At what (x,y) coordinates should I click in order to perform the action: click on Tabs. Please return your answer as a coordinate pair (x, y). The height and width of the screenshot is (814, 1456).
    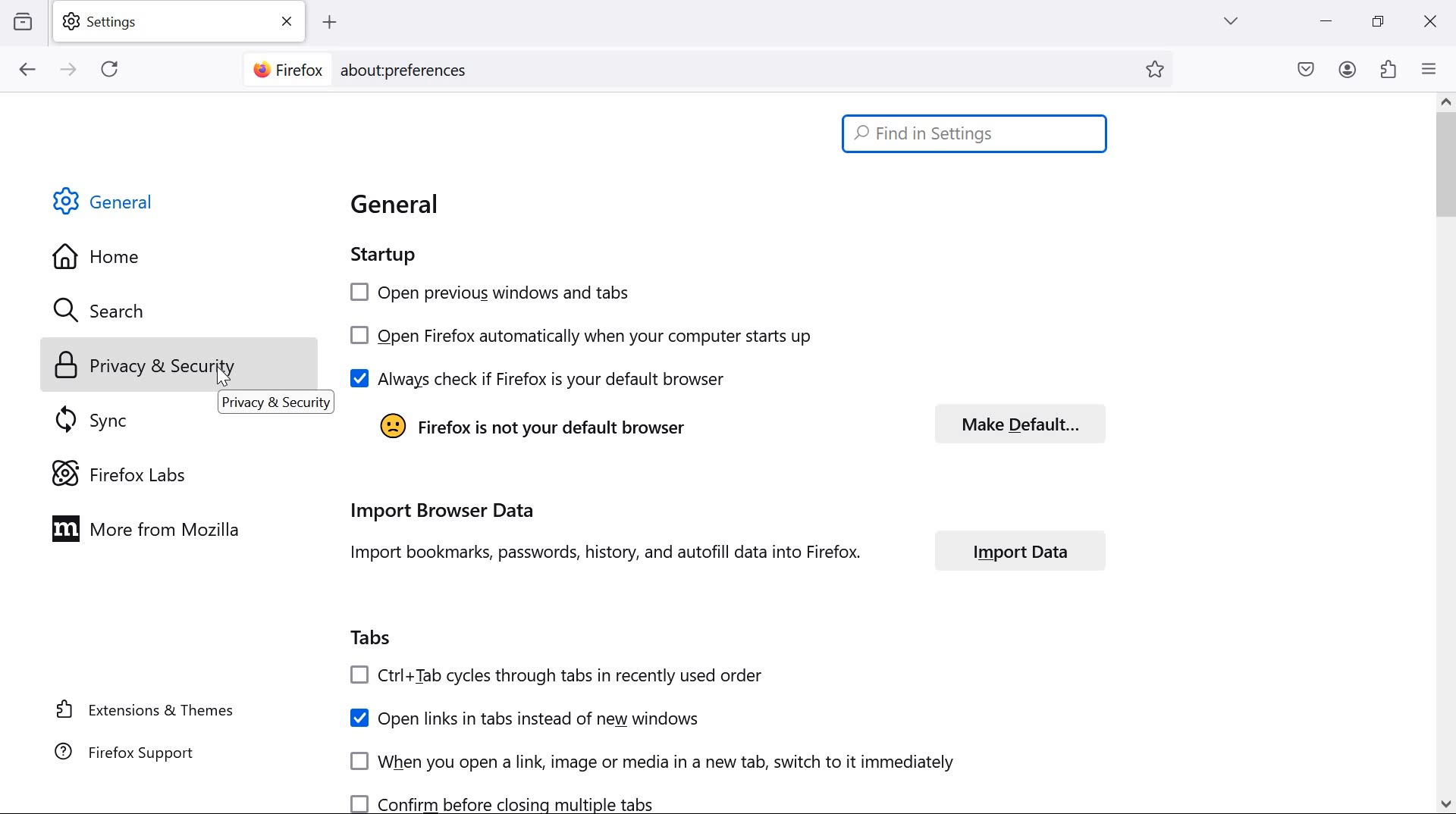
    Looking at the image, I should click on (372, 635).